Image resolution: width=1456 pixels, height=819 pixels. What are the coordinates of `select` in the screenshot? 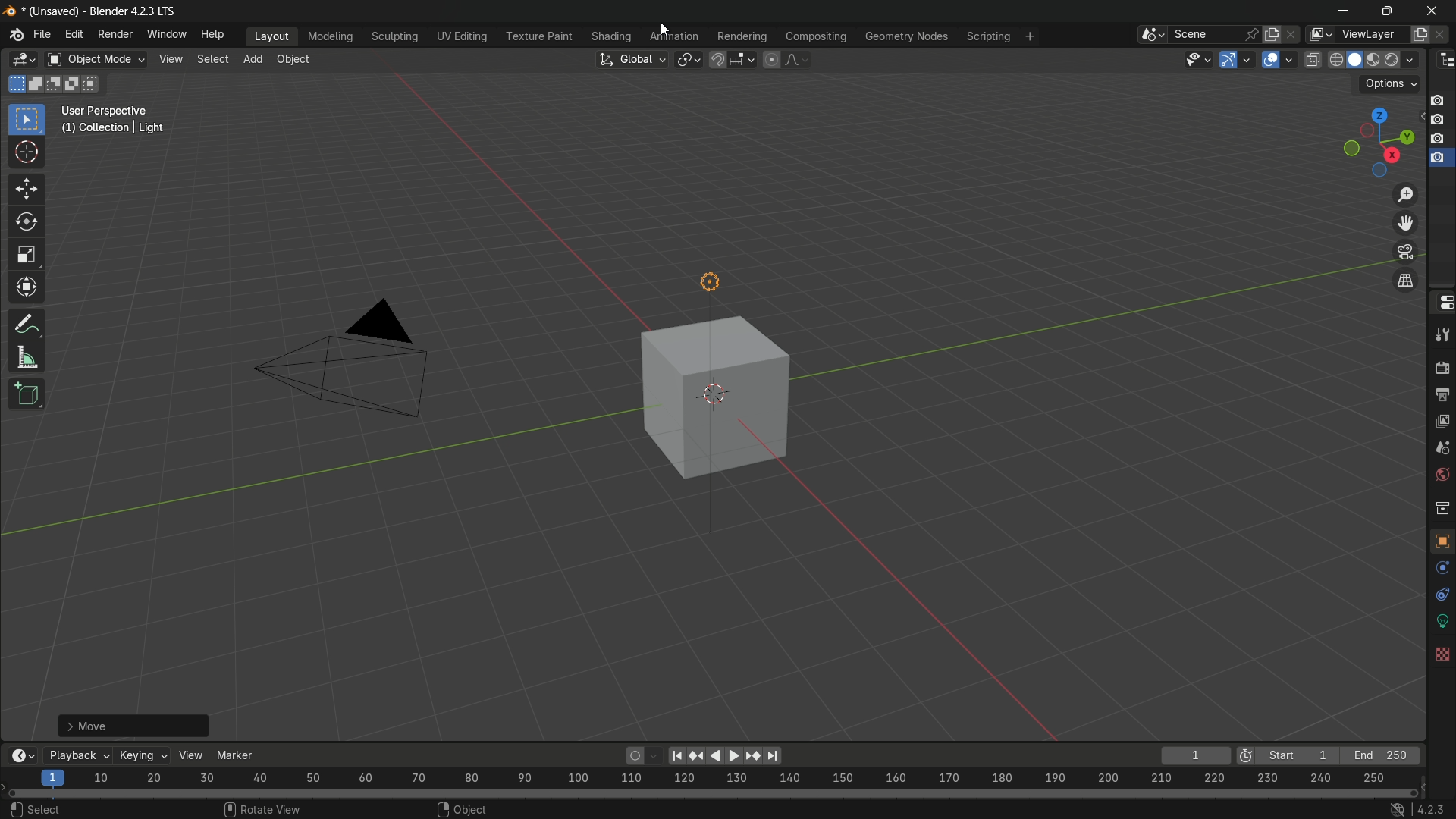 It's located at (35, 808).